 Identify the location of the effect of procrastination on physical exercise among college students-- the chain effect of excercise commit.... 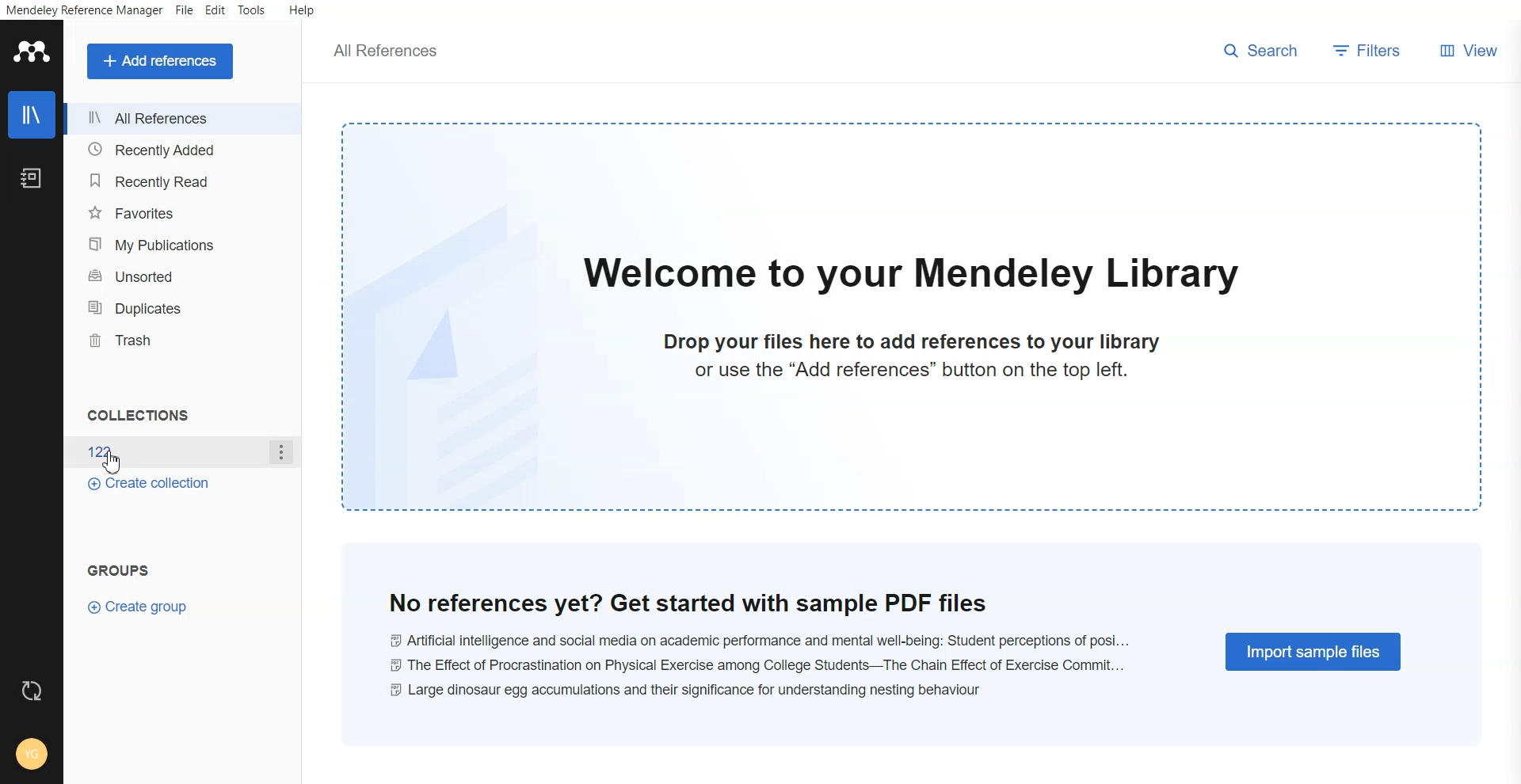
(760, 663).